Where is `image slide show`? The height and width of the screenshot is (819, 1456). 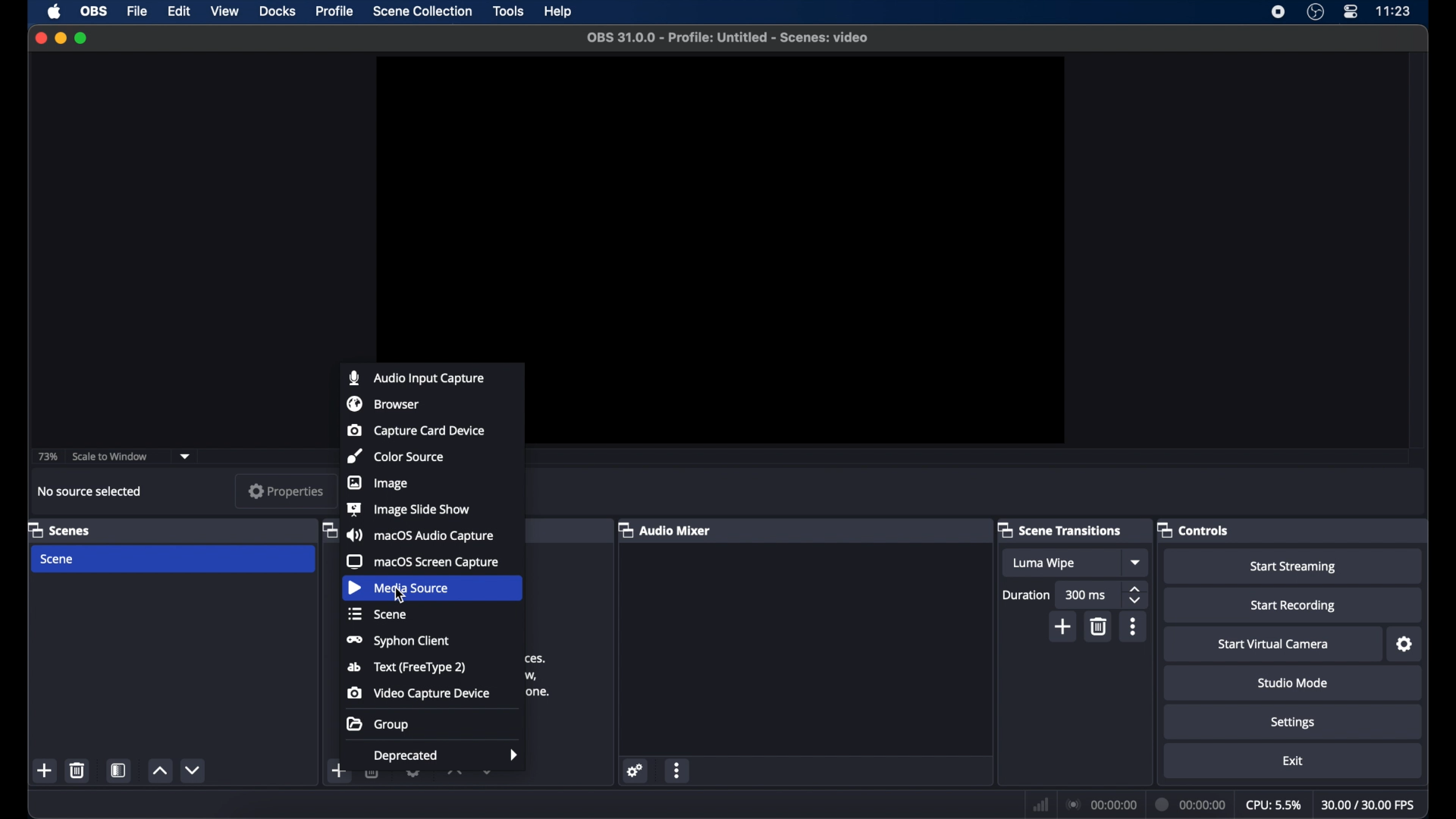
image slide show is located at coordinates (408, 509).